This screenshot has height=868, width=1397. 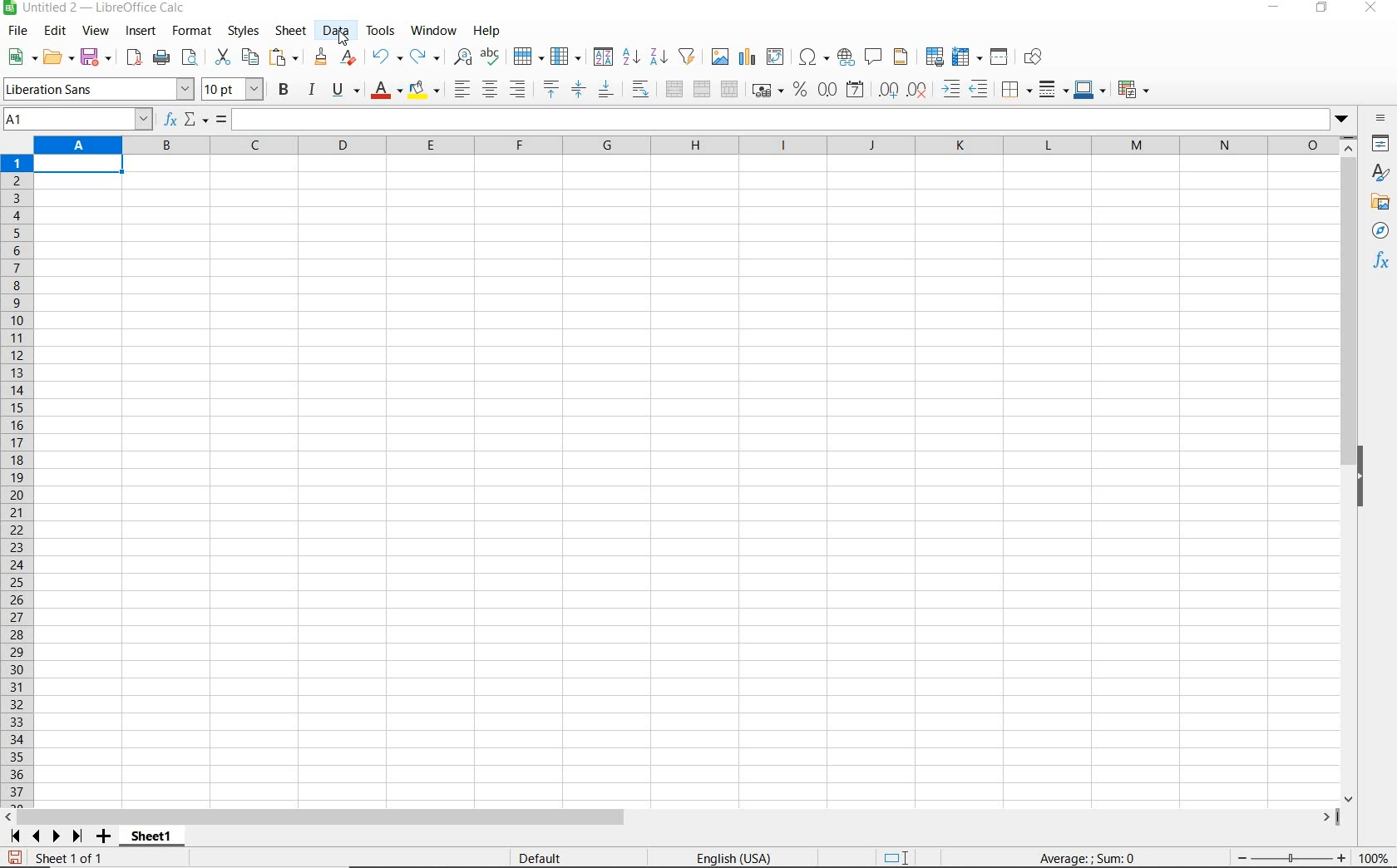 I want to click on cursor, so click(x=345, y=40).